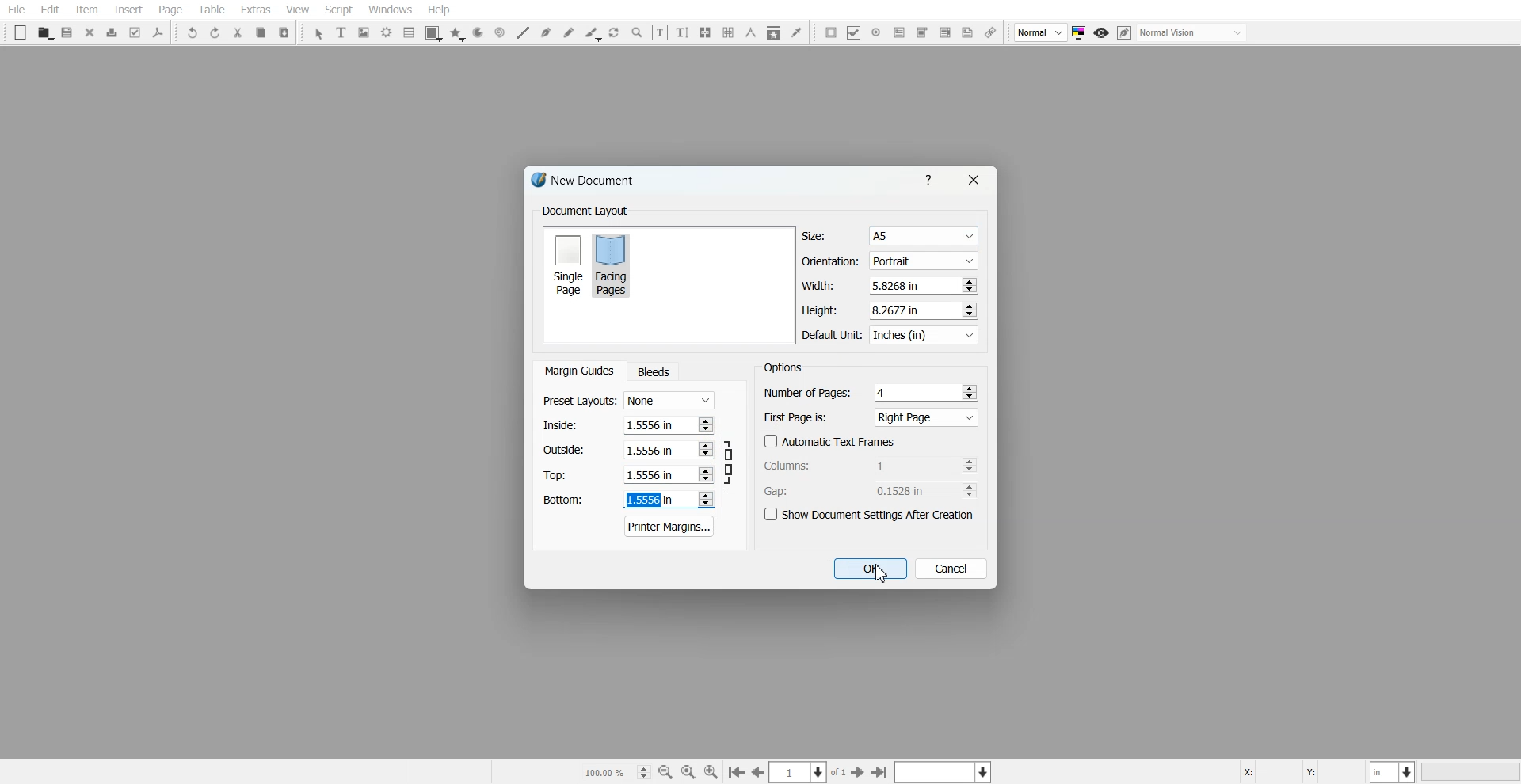  What do you see at coordinates (1302, 771) in the screenshot?
I see `X, Y Co-ordinate` at bounding box center [1302, 771].